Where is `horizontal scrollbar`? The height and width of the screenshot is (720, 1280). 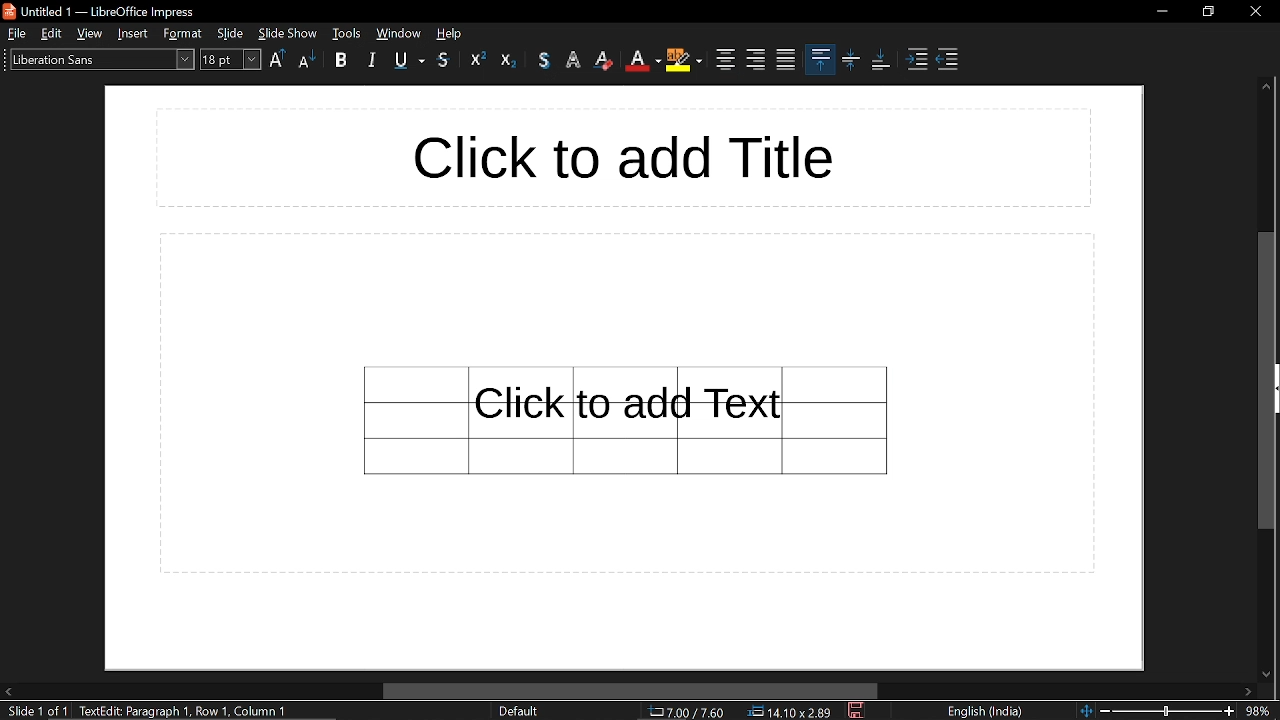
horizontal scrollbar is located at coordinates (631, 691).